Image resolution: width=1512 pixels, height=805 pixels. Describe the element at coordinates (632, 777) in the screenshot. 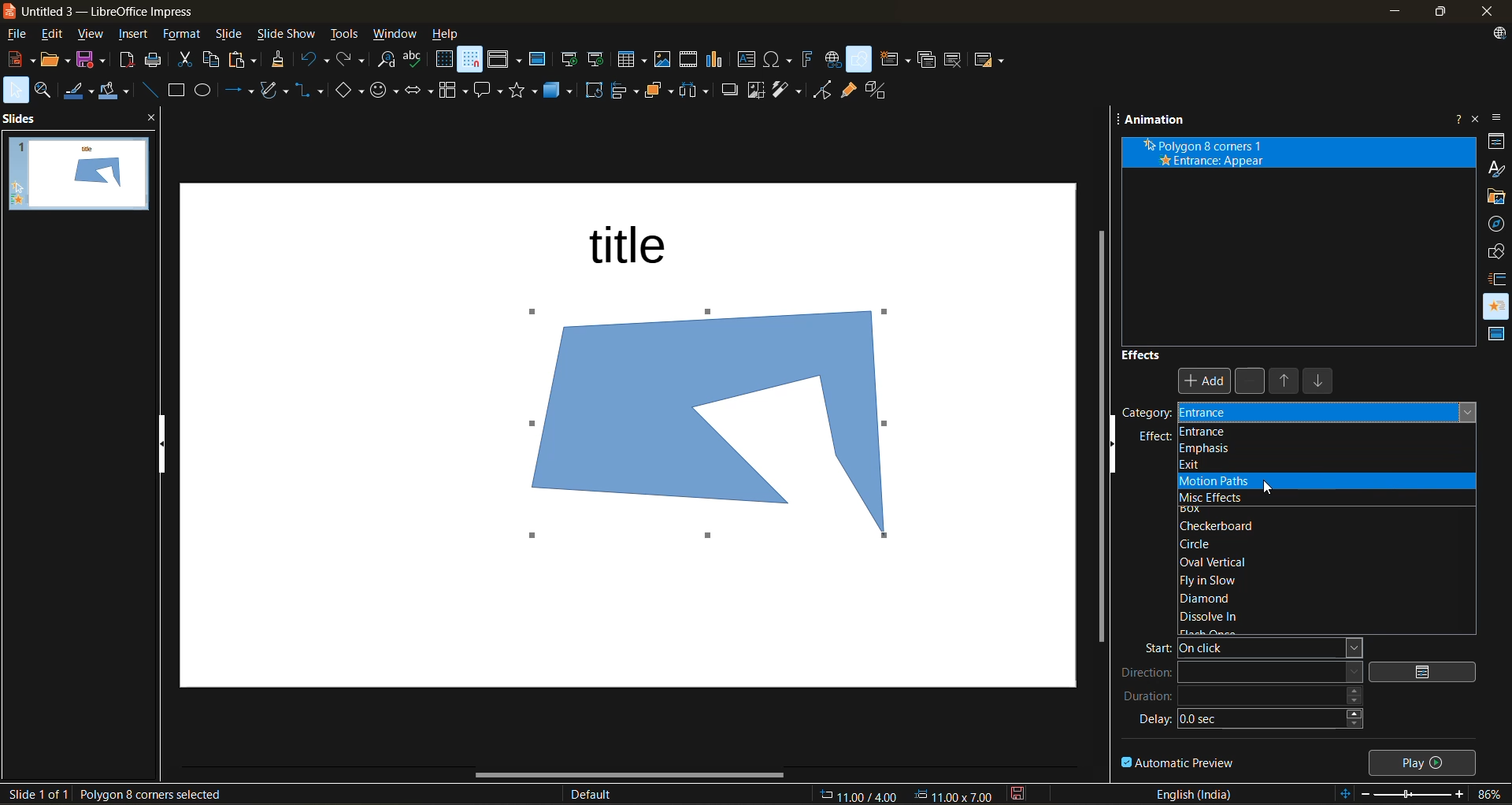

I see `horizontal scroll bar` at that location.